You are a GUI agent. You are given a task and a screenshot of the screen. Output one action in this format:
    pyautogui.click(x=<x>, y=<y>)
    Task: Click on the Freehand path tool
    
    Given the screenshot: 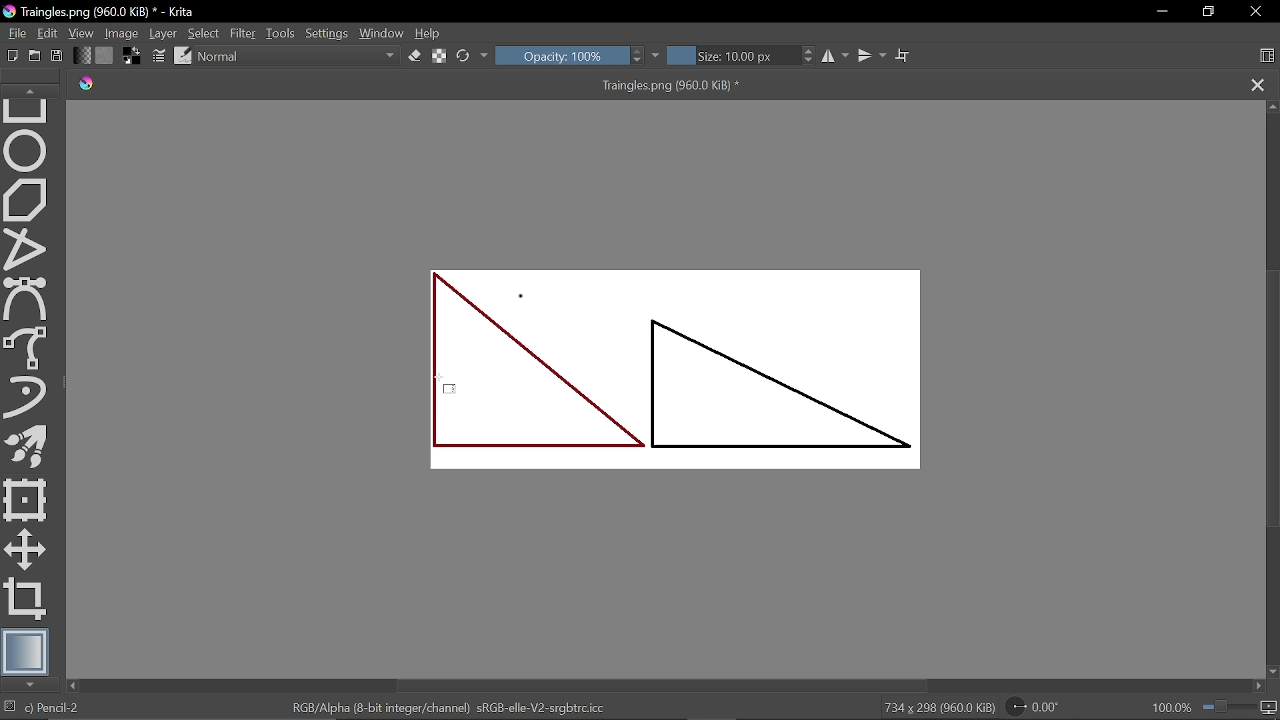 What is the action you would take?
    pyautogui.click(x=29, y=348)
    